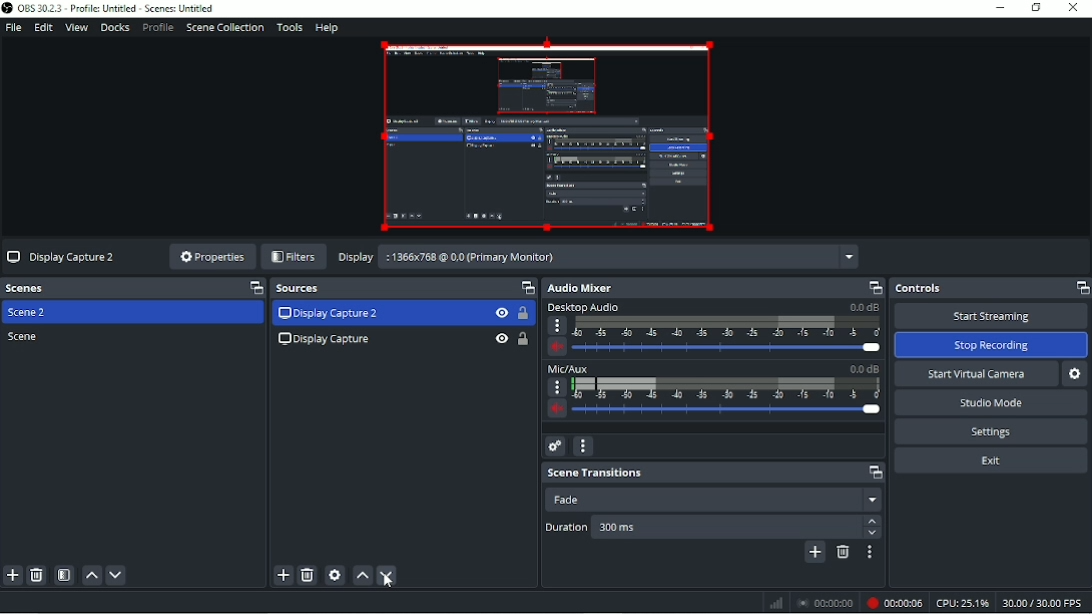  I want to click on File, so click(13, 28).